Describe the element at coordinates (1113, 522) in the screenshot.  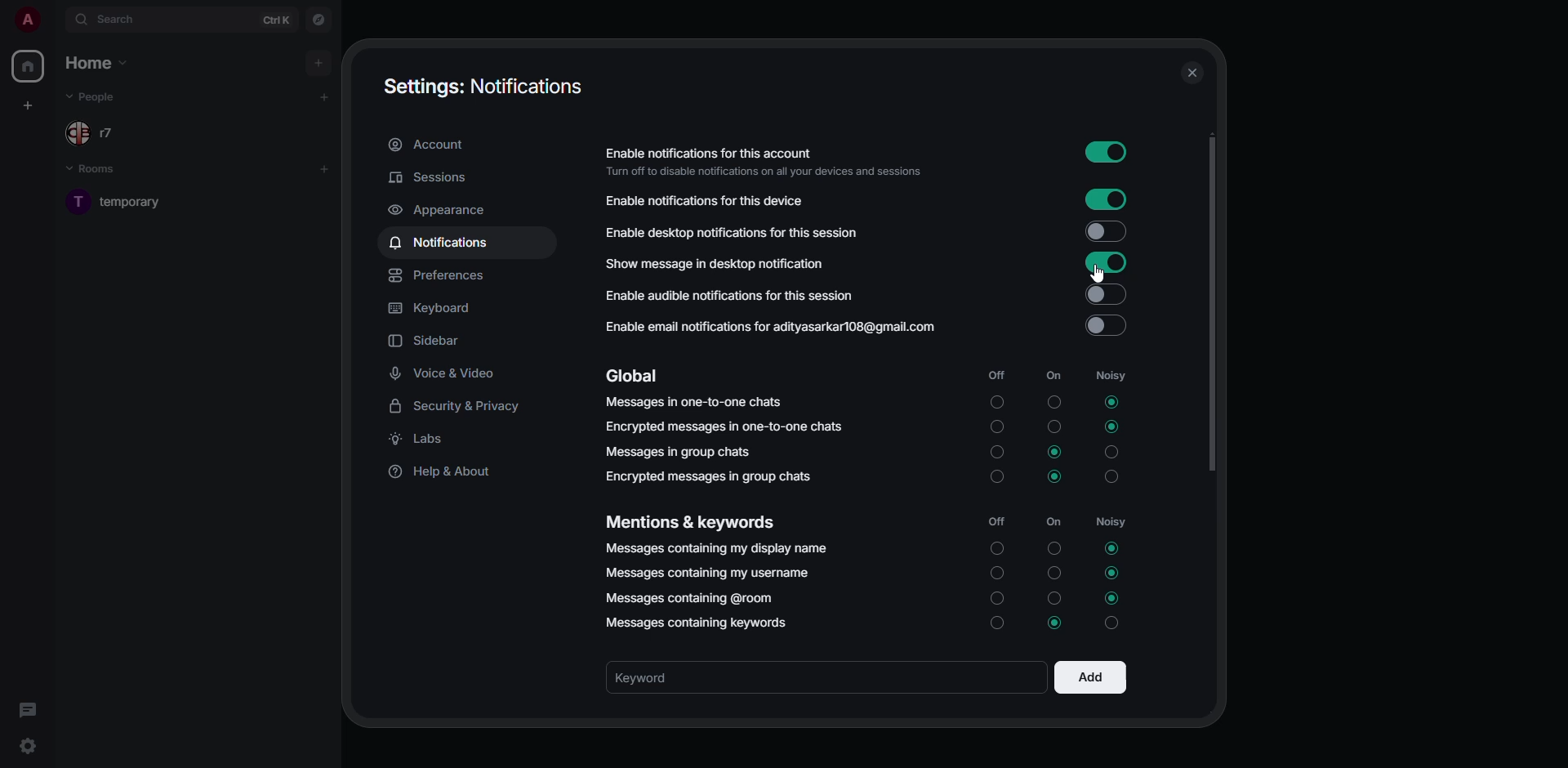
I see `noisy` at that location.